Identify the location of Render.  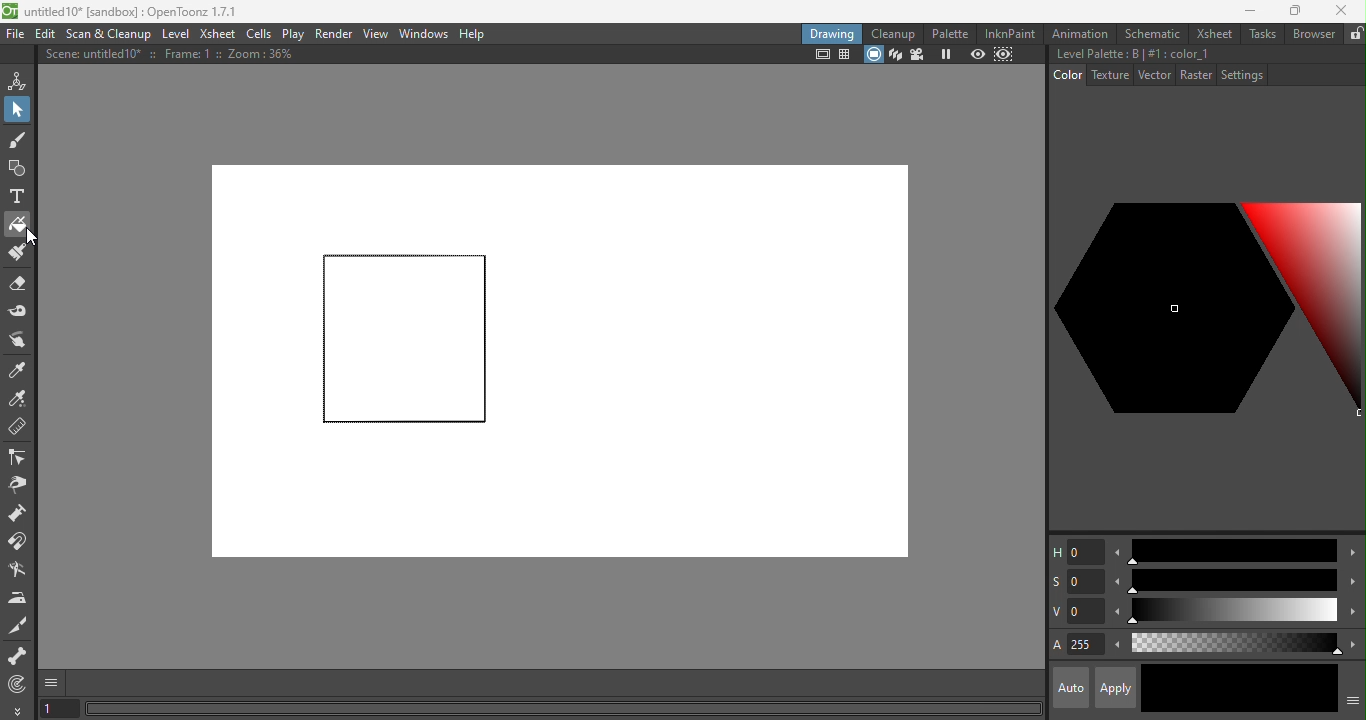
(335, 33).